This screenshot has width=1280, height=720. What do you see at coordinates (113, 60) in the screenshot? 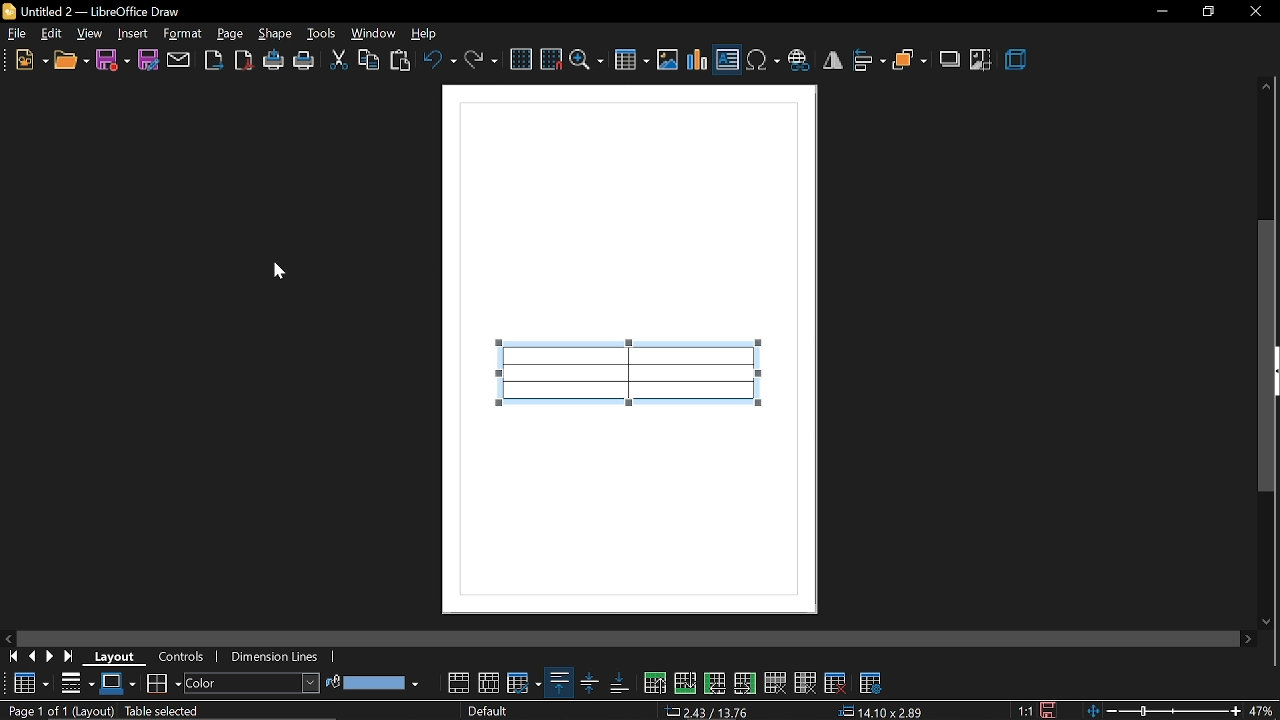
I see `save` at bounding box center [113, 60].